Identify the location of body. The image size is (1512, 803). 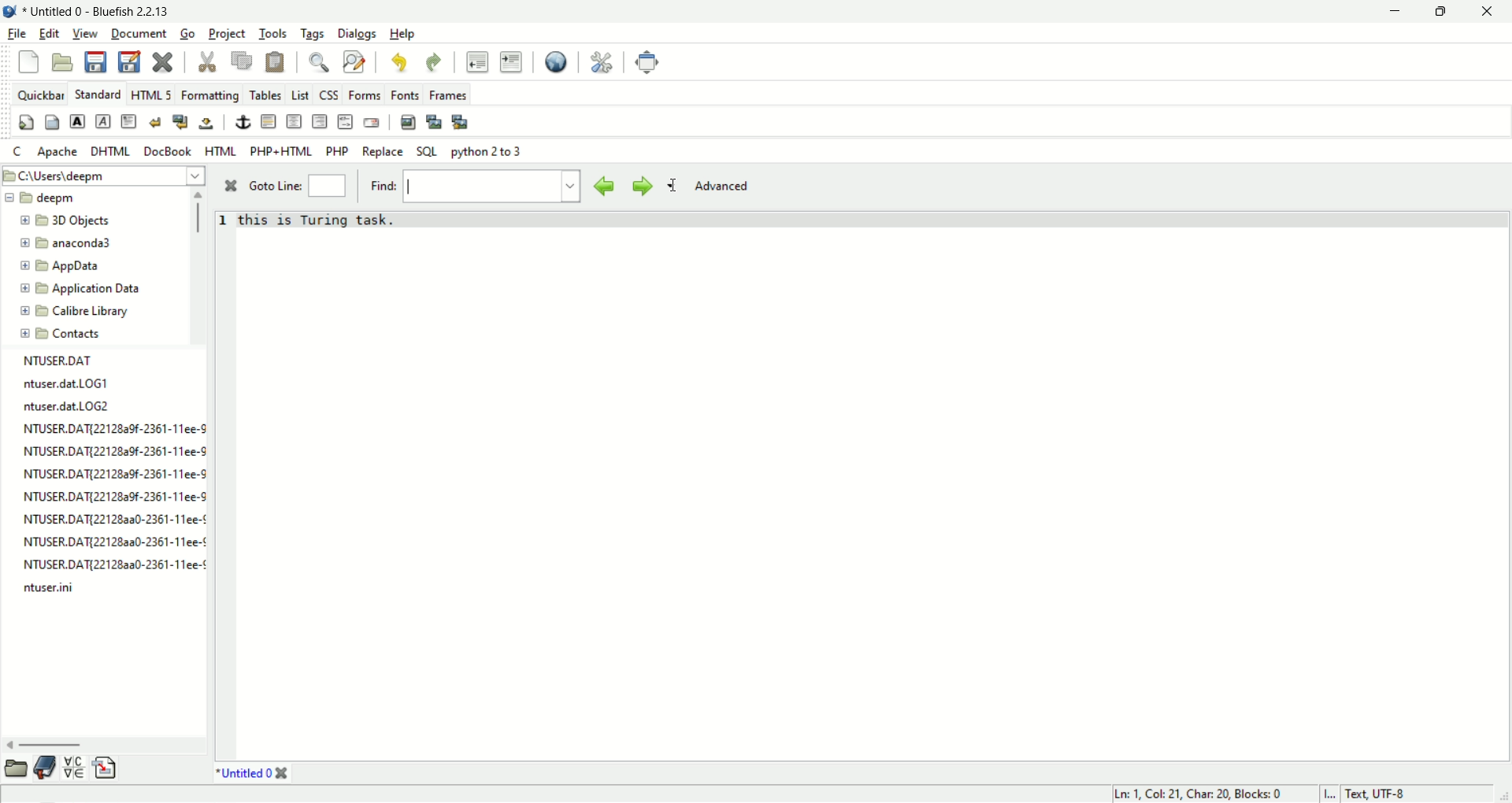
(53, 121).